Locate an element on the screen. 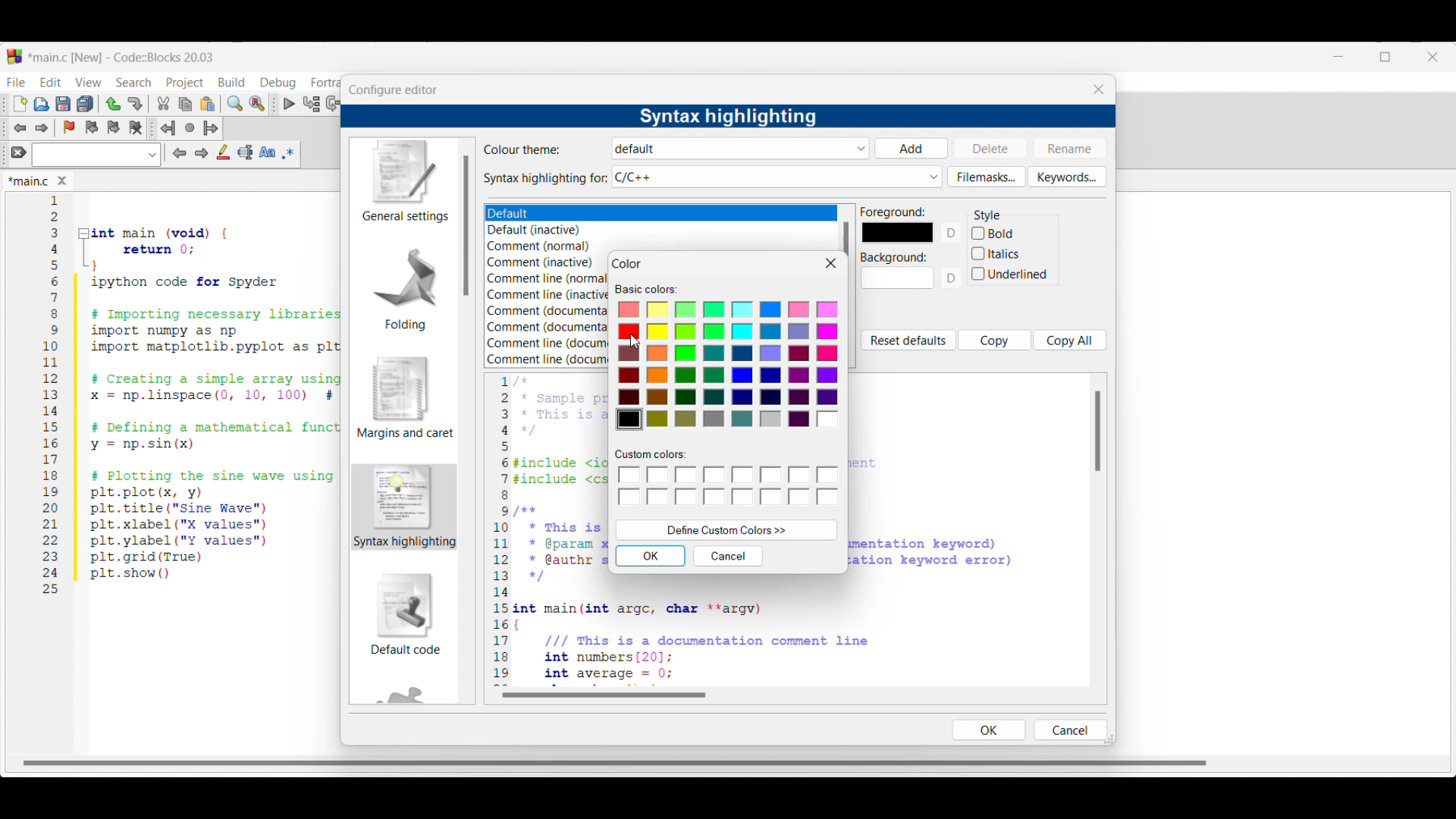  Basic color options is located at coordinates (727, 366).